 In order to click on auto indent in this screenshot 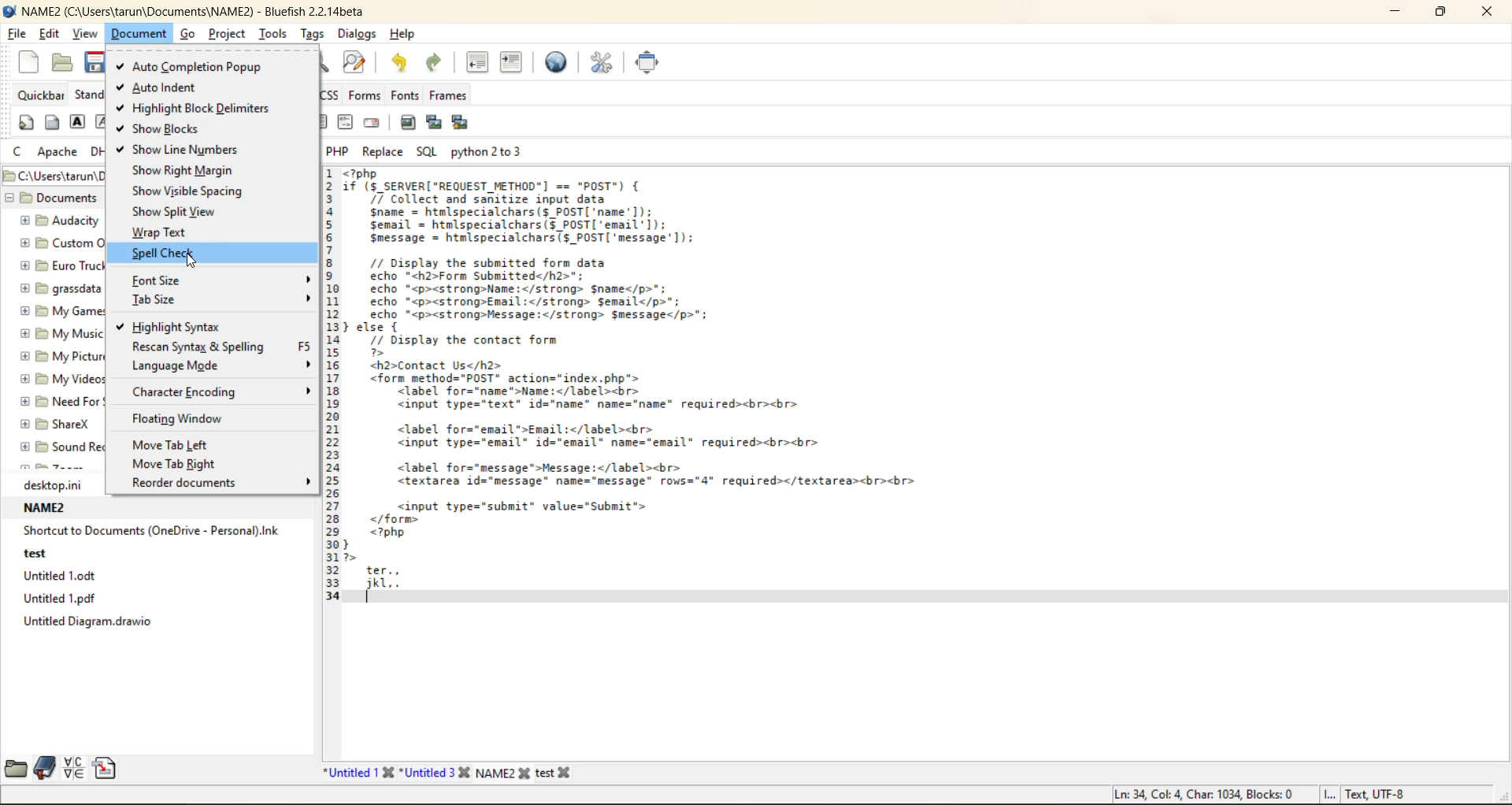, I will do `click(159, 89)`.